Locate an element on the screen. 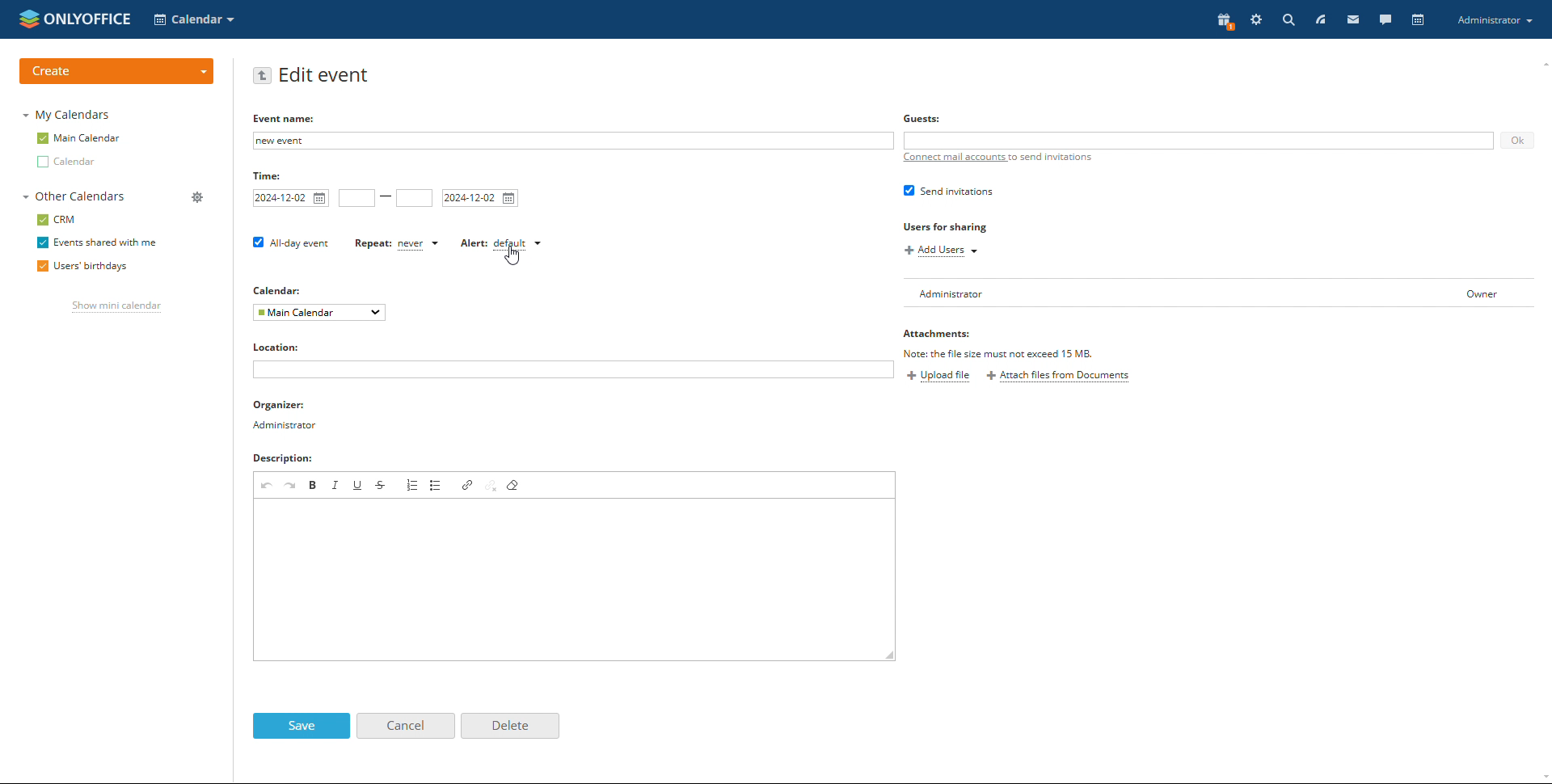 The width and height of the screenshot is (1552, 784). start date is located at coordinates (291, 198).